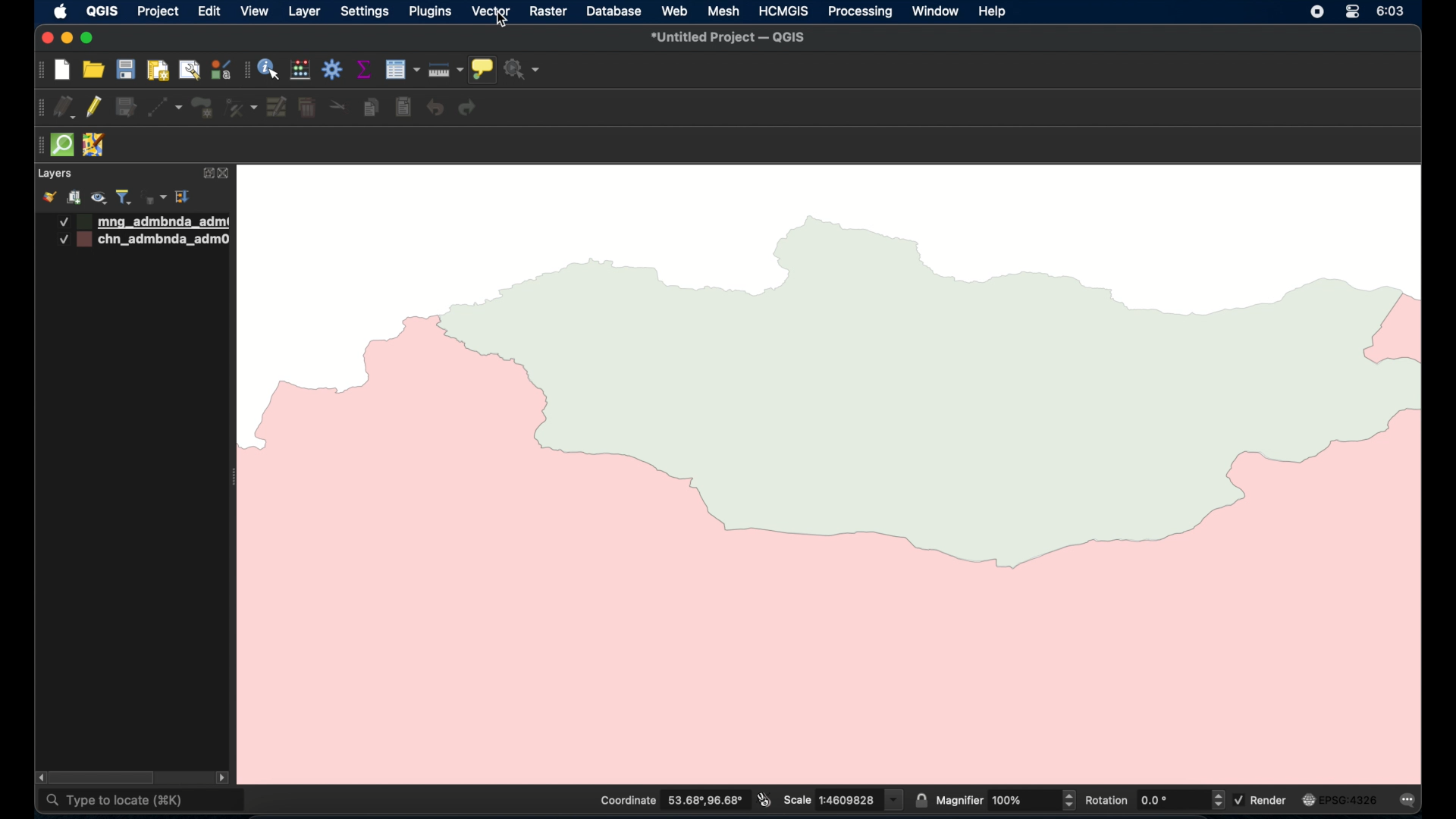  What do you see at coordinates (1316, 11) in the screenshot?
I see `screen recorder icon` at bounding box center [1316, 11].